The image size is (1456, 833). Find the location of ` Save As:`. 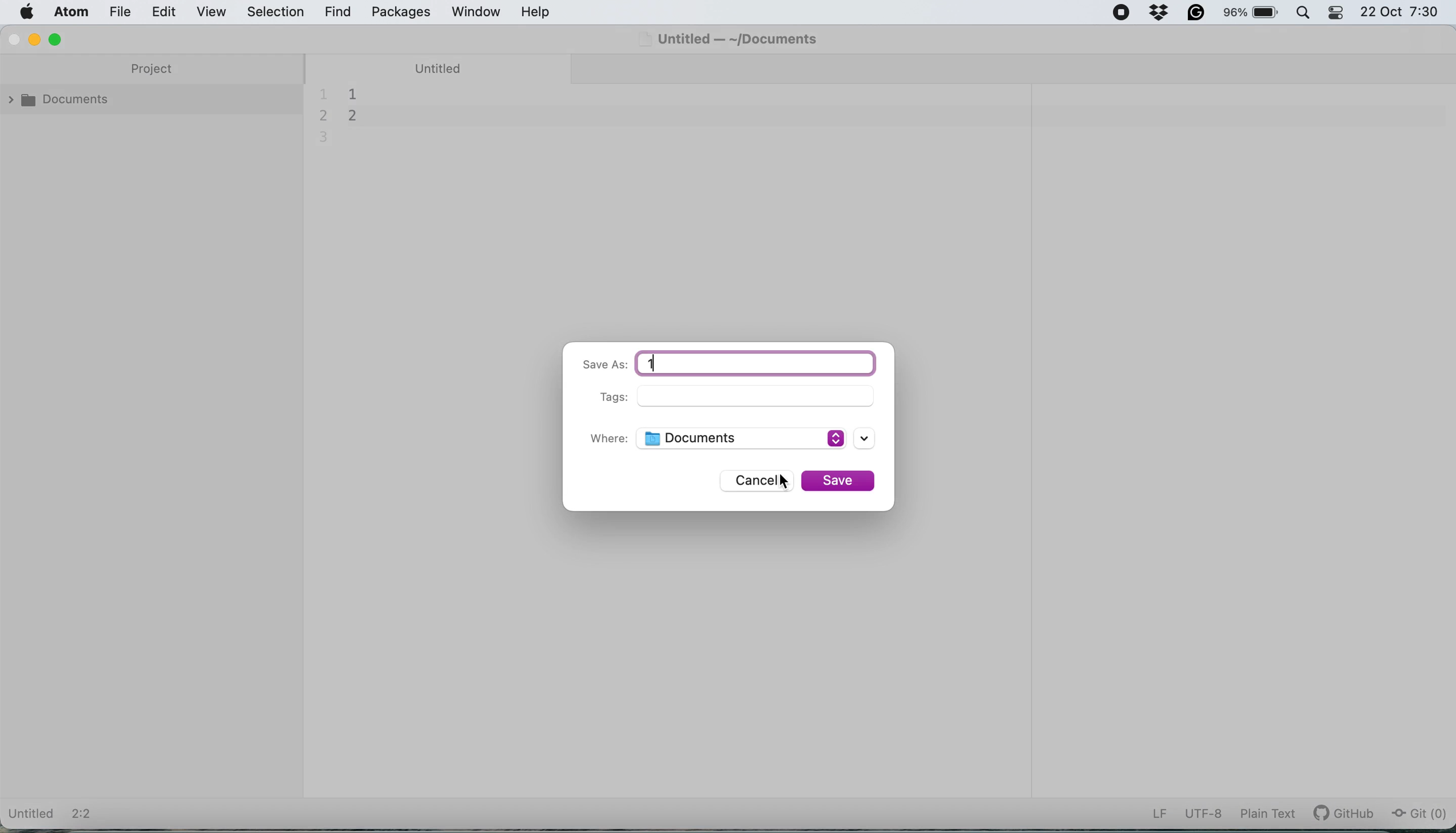

 Save As: is located at coordinates (602, 366).